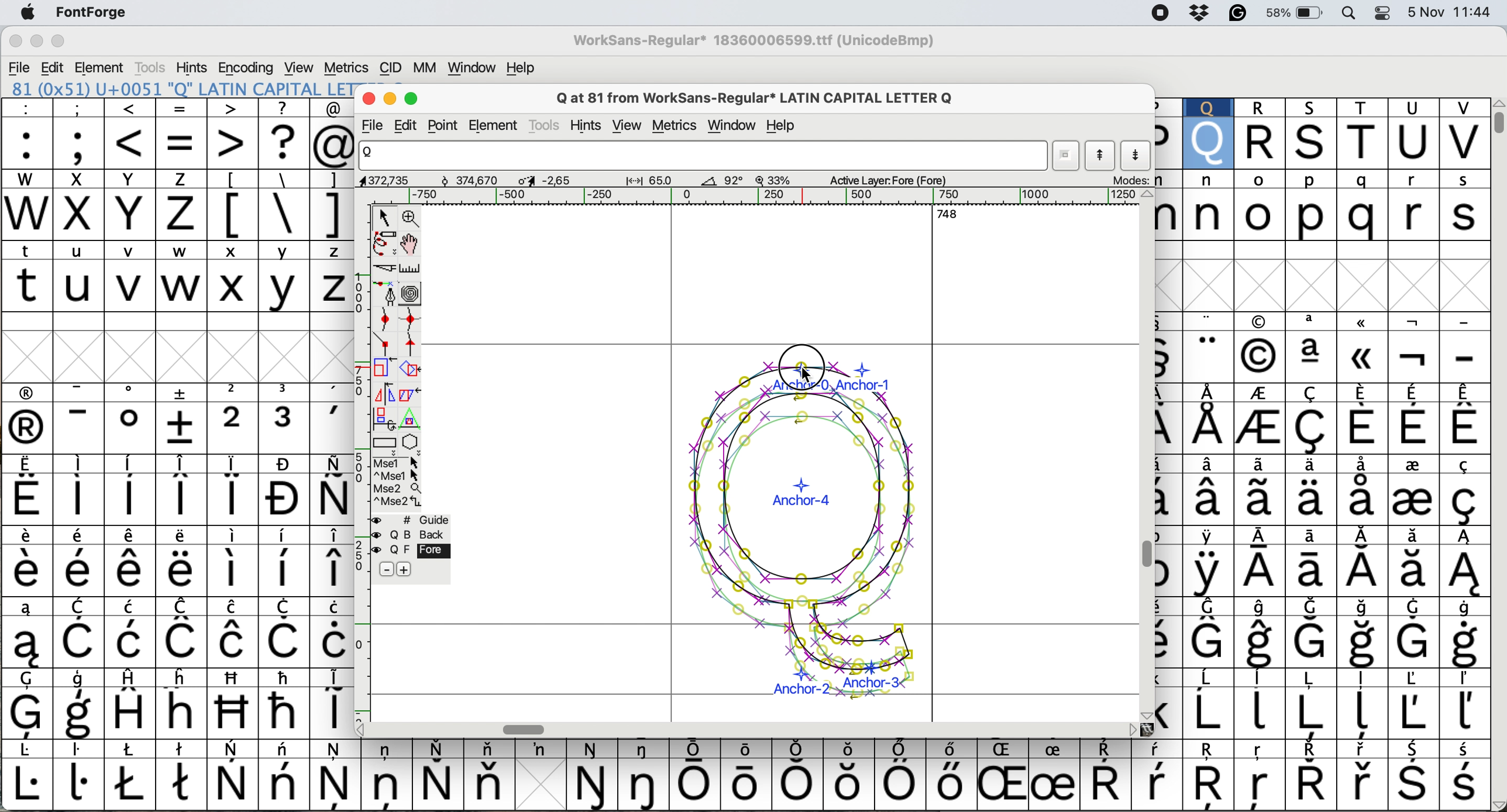  What do you see at coordinates (544, 126) in the screenshot?
I see `tools` at bounding box center [544, 126].